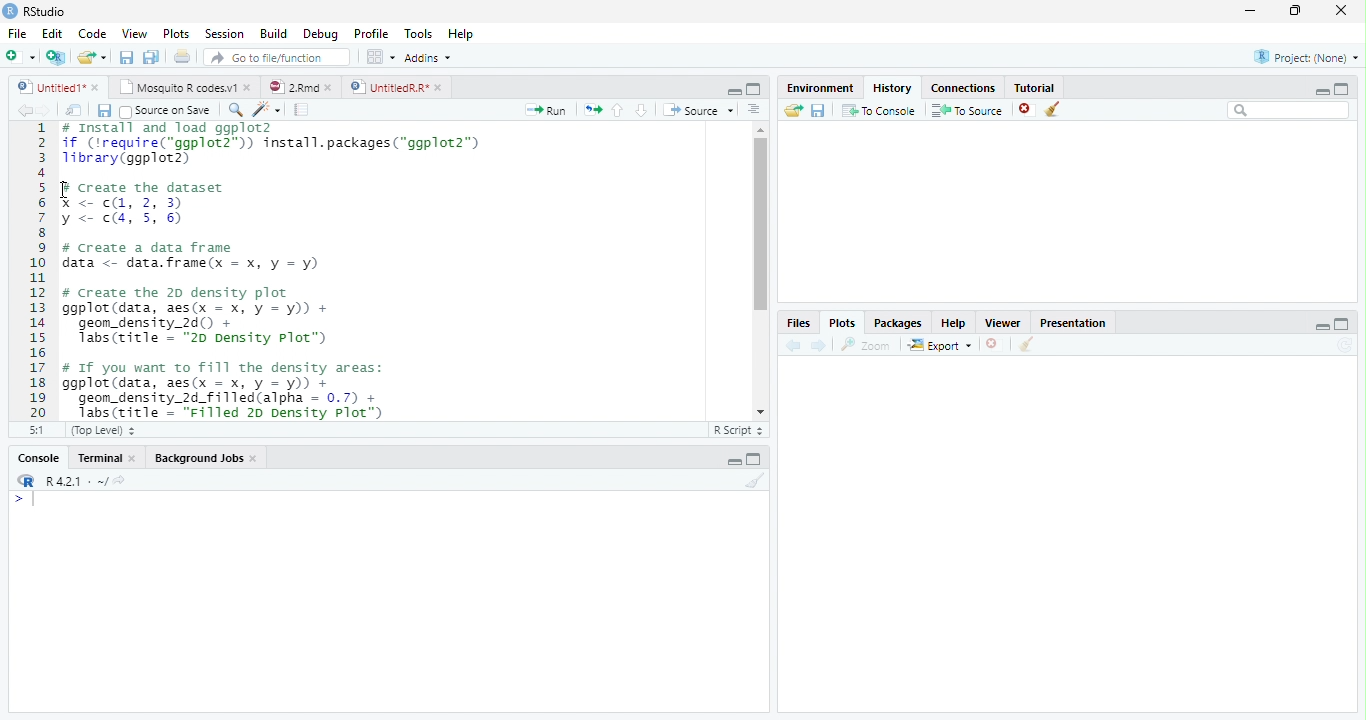 Image resolution: width=1366 pixels, height=720 pixels. Describe the element at coordinates (34, 12) in the screenshot. I see `' RStudio` at that location.